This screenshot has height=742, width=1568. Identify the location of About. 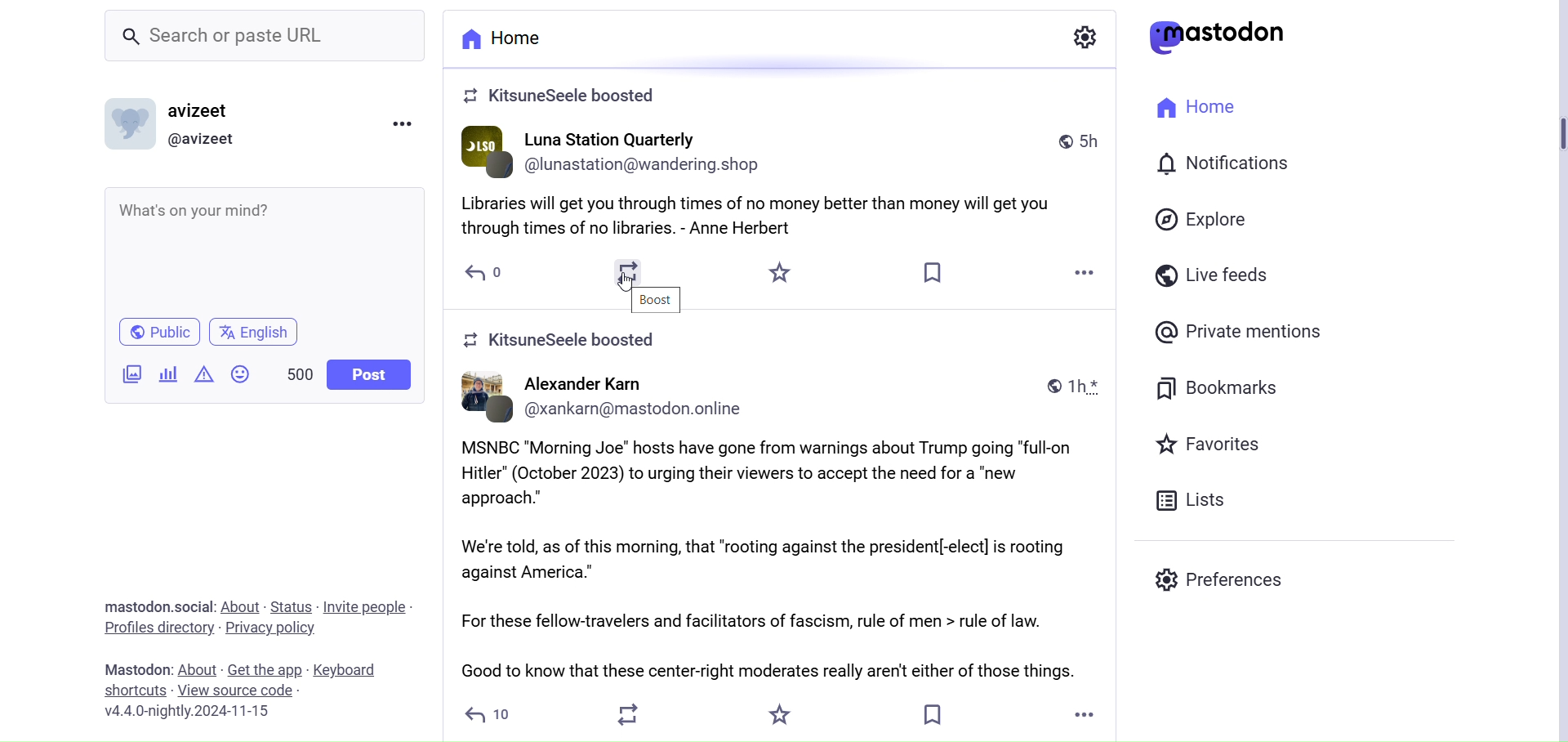
(198, 669).